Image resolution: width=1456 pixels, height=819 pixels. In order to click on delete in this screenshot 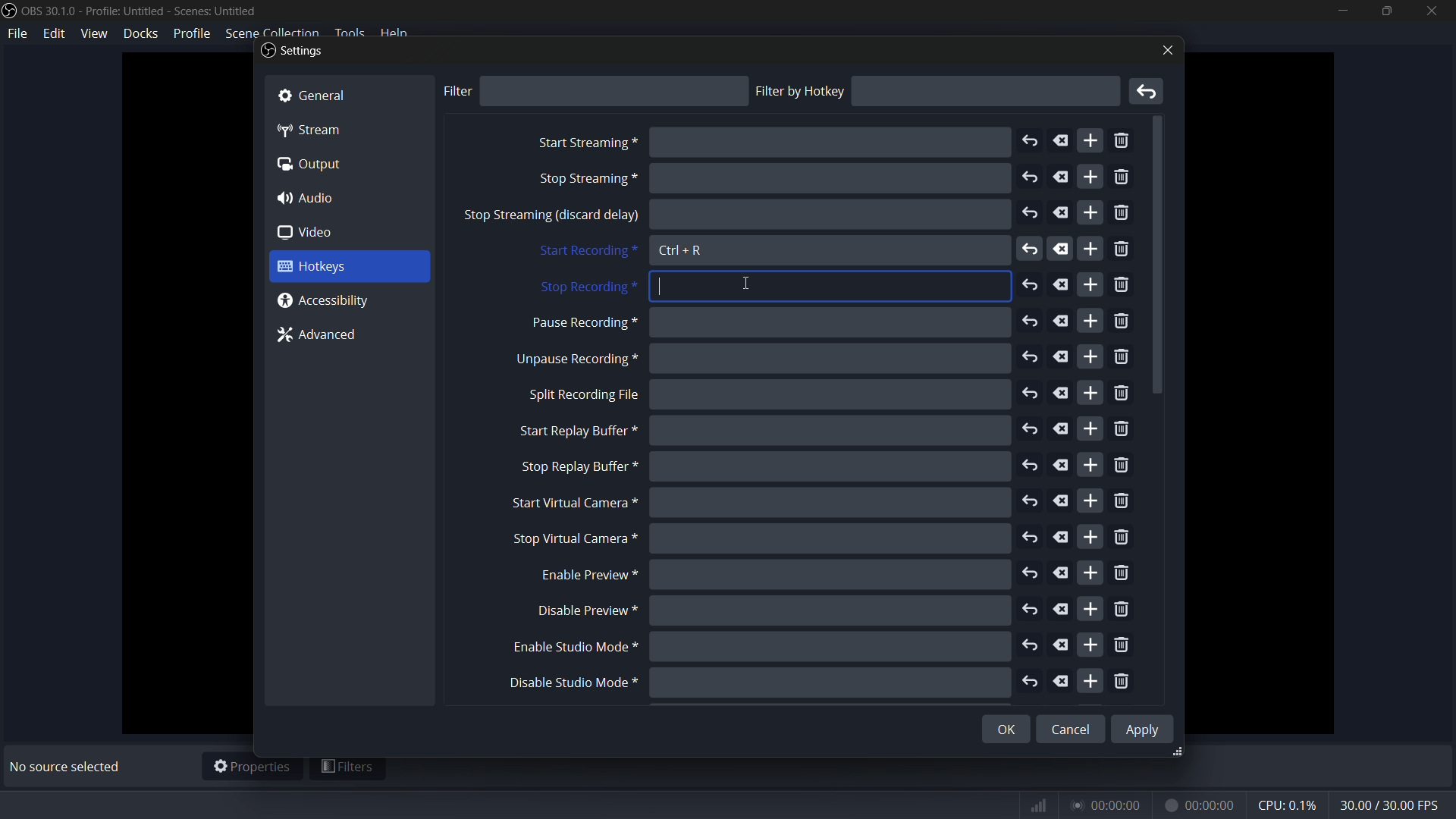, I will do `click(1059, 501)`.